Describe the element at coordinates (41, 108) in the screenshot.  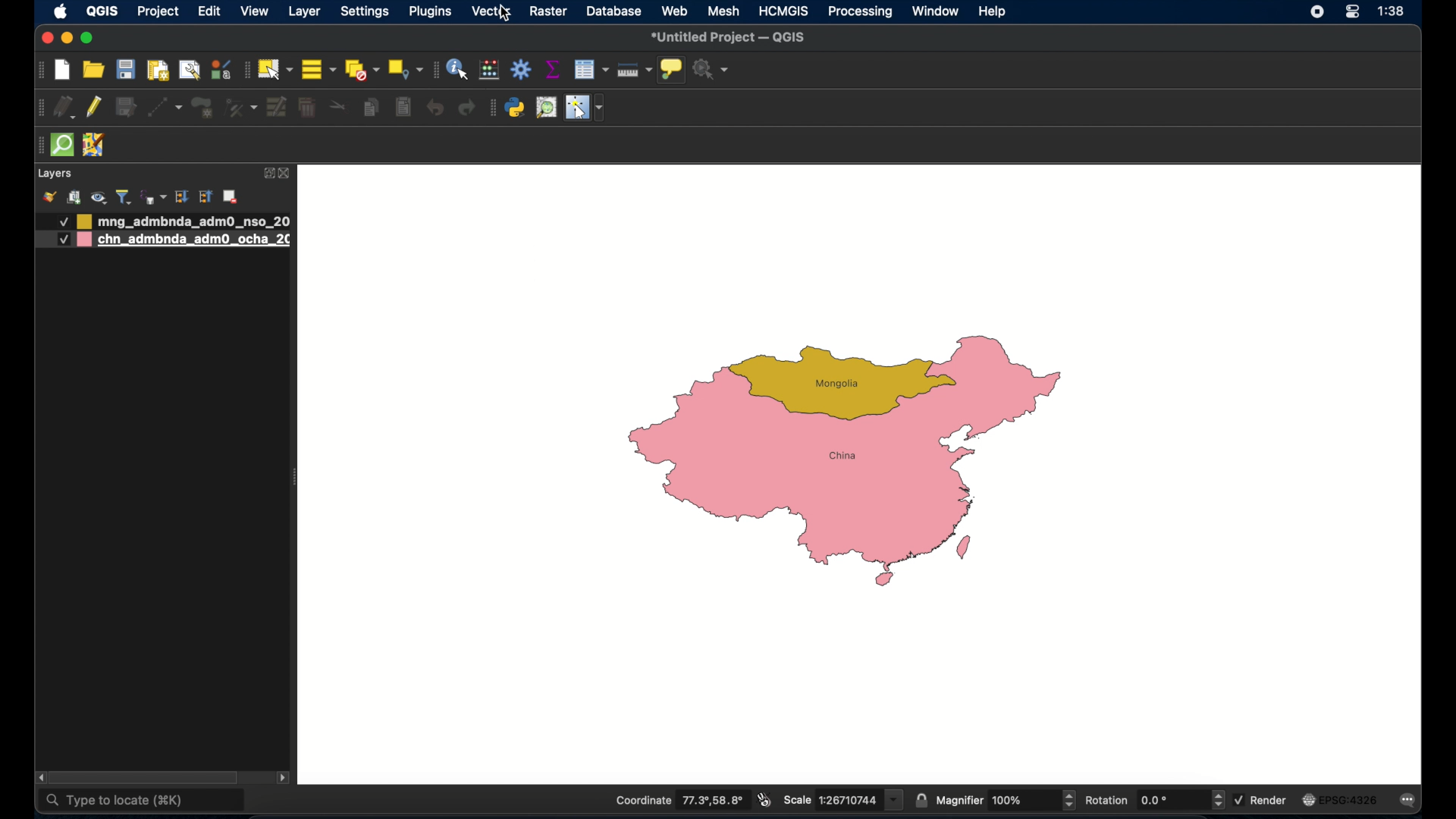
I see `digitizing toolbar` at that location.